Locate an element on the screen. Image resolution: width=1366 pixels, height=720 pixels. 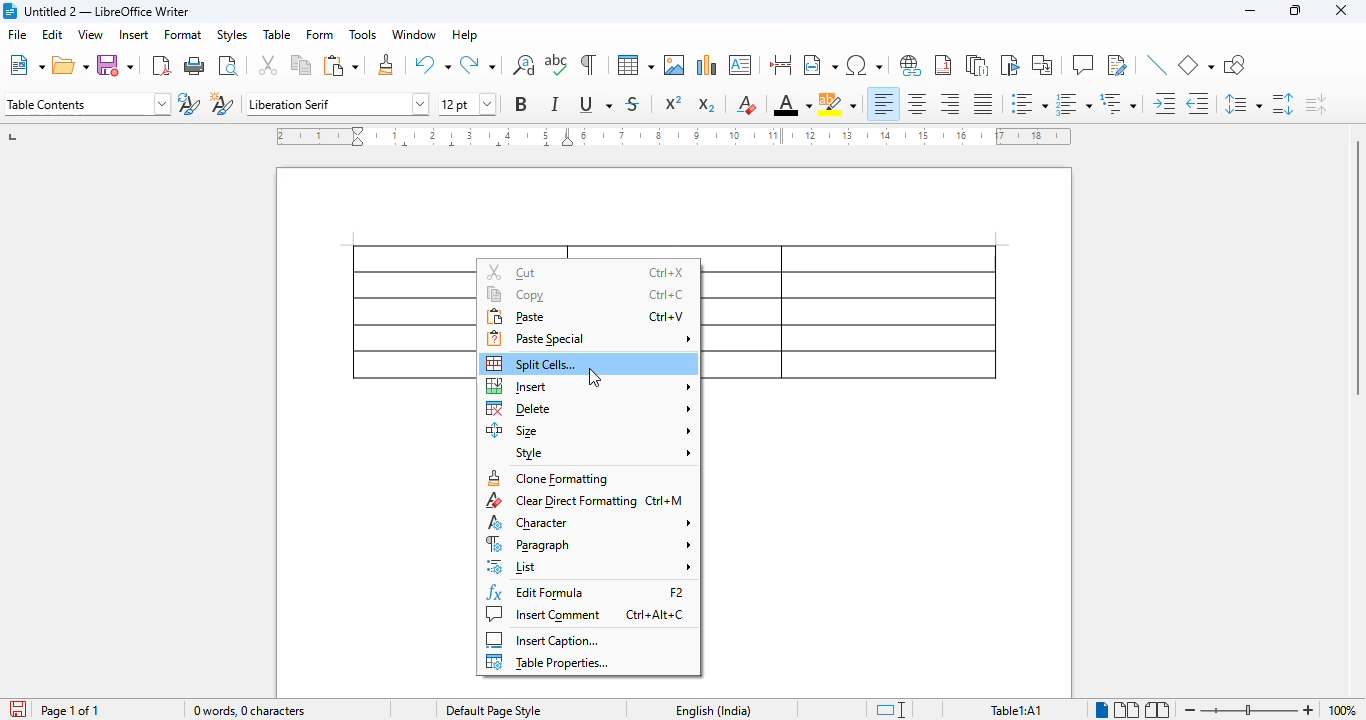
table is located at coordinates (635, 65).